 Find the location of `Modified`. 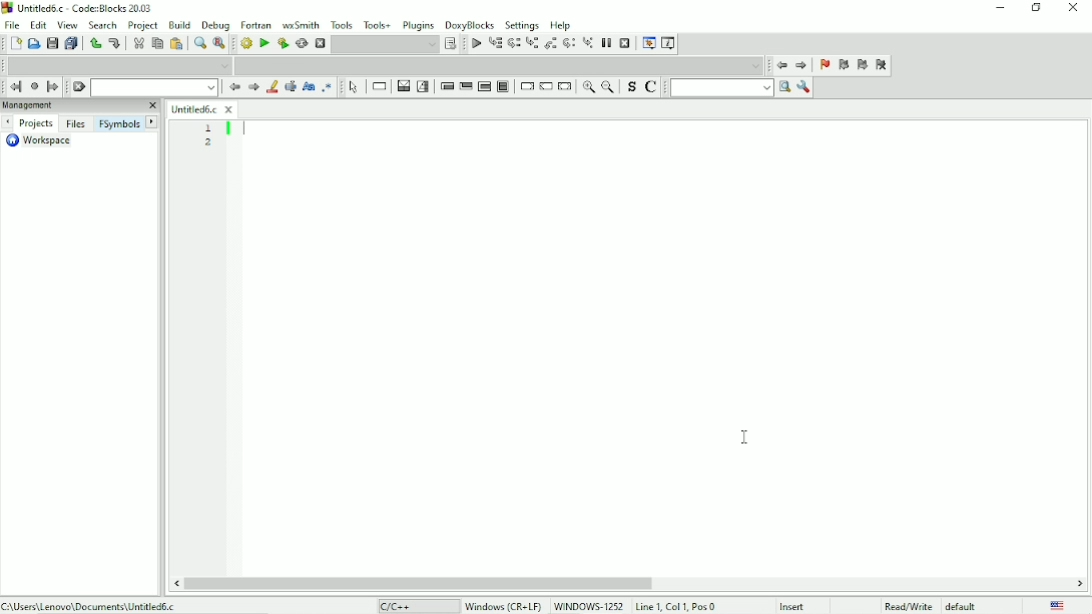

Modified is located at coordinates (853, 605).